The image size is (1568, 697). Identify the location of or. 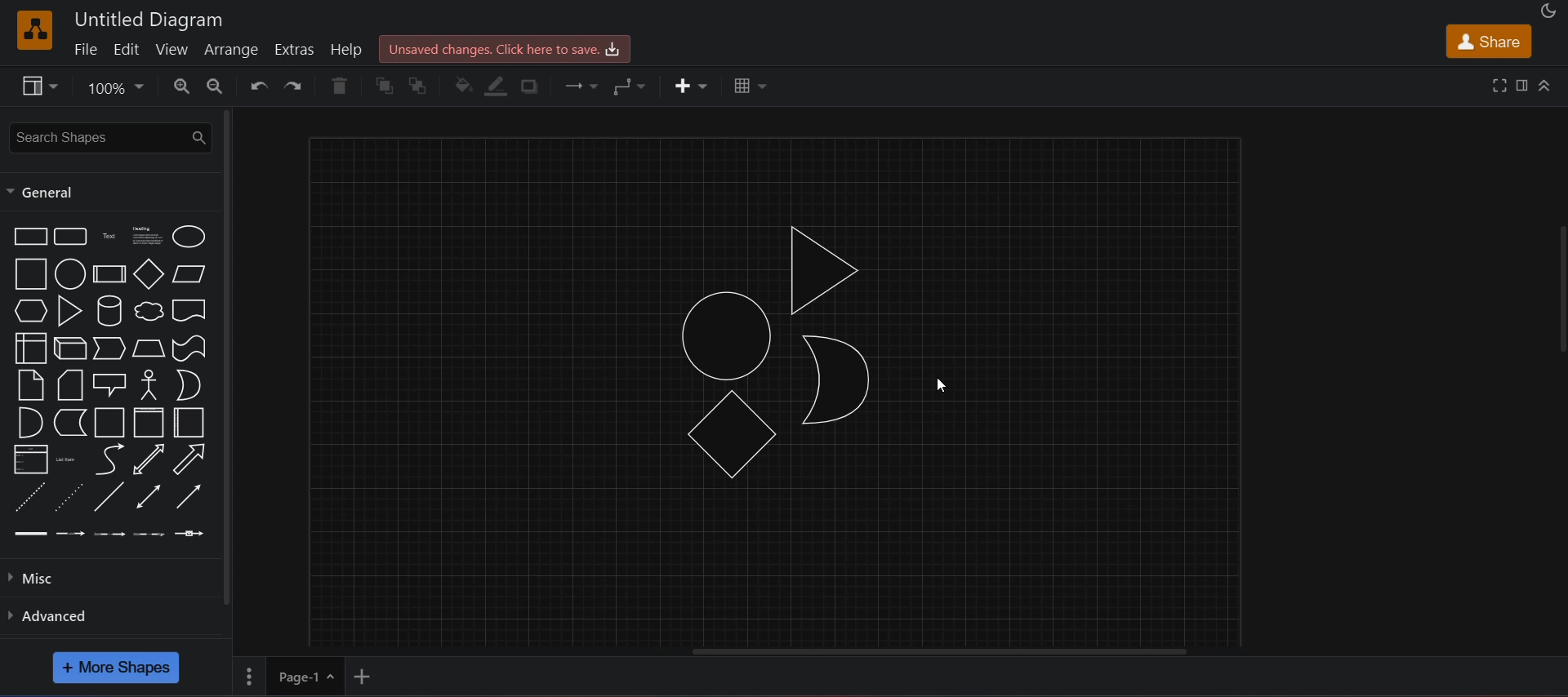
(188, 384).